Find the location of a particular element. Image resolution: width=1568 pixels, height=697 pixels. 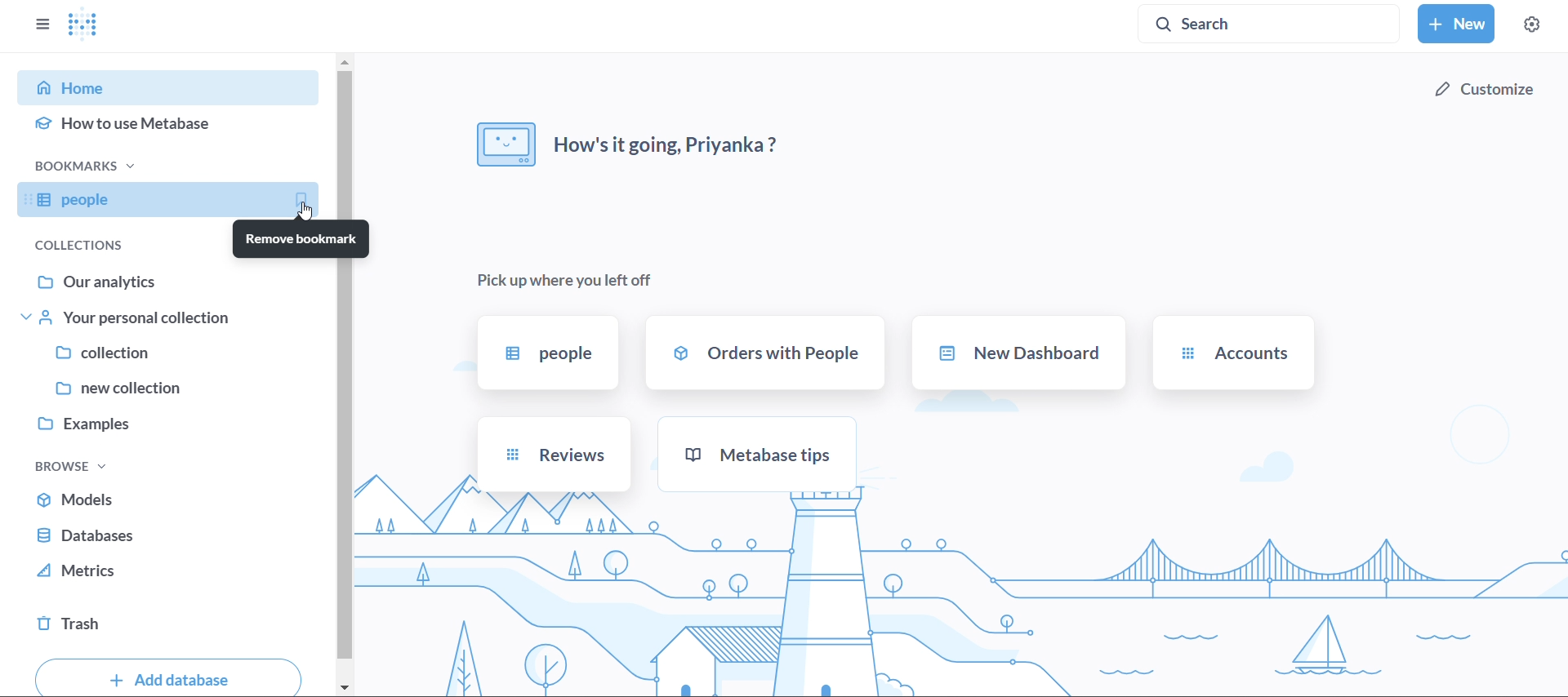

database is located at coordinates (165, 537).